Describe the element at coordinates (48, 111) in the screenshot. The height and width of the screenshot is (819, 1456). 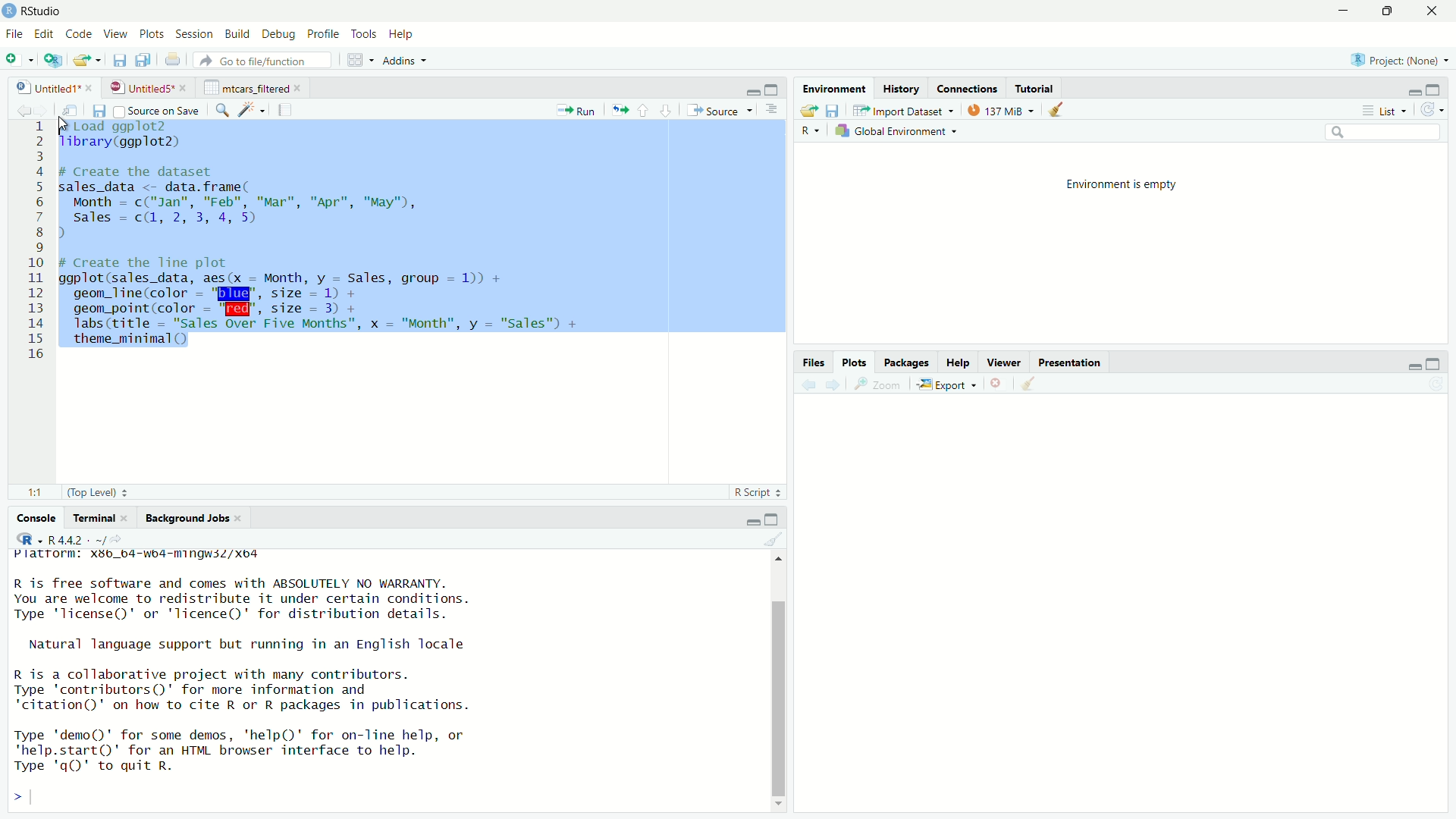
I see `forward` at that location.